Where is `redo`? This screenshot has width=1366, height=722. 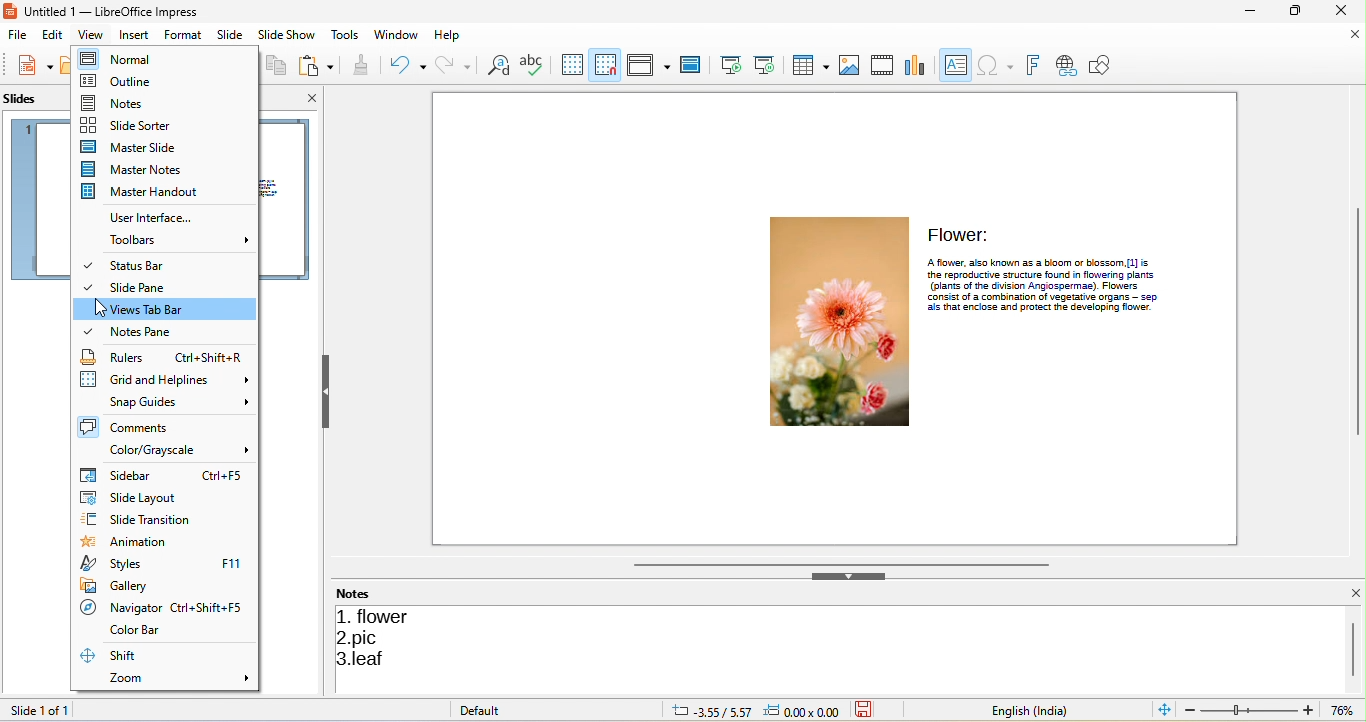
redo is located at coordinates (456, 64).